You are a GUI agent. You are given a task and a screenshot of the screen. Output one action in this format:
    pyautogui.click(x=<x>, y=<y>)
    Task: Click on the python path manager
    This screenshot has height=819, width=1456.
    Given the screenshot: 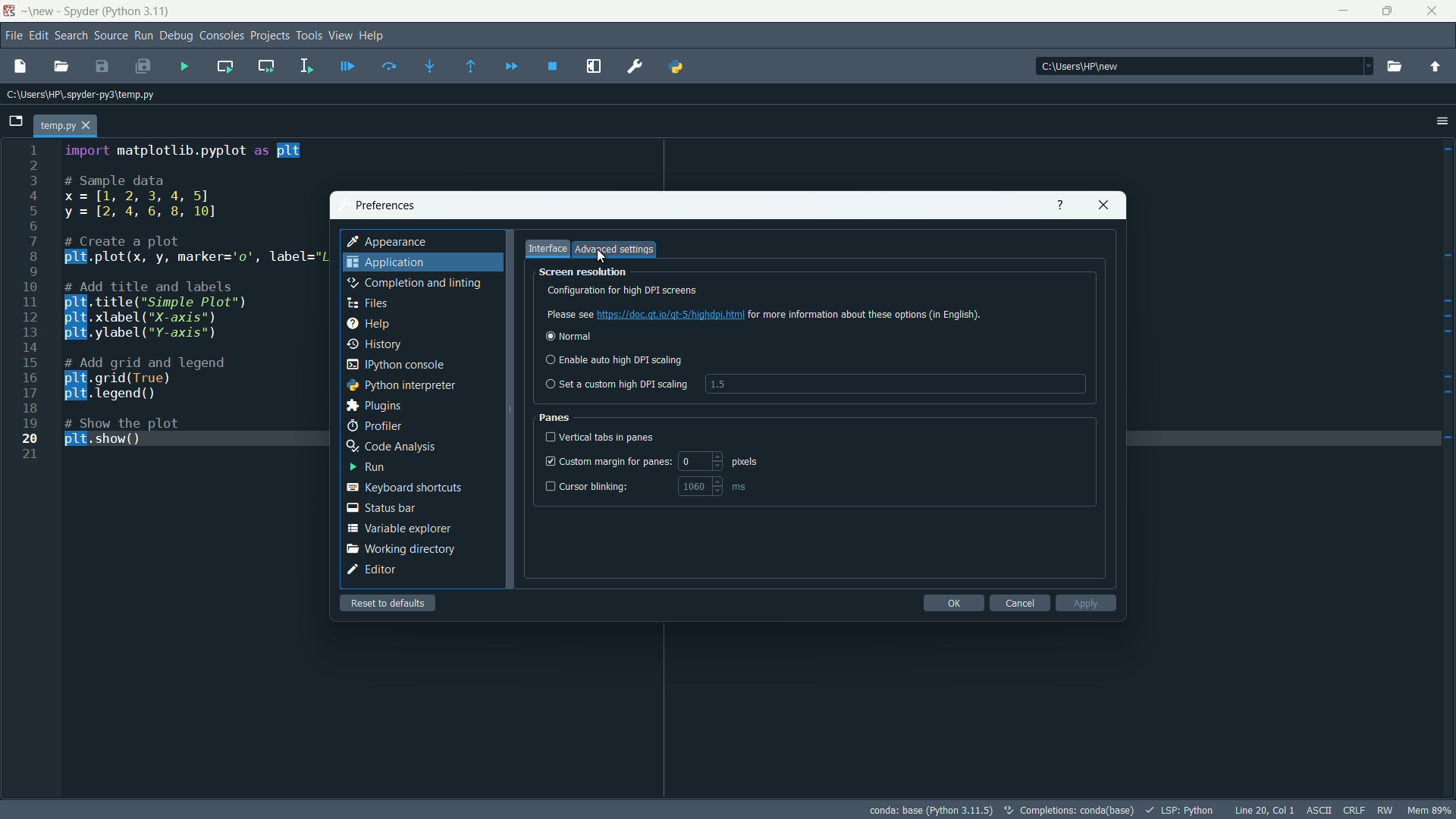 What is the action you would take?
    pyautogui.click(x=674, y=67)
    